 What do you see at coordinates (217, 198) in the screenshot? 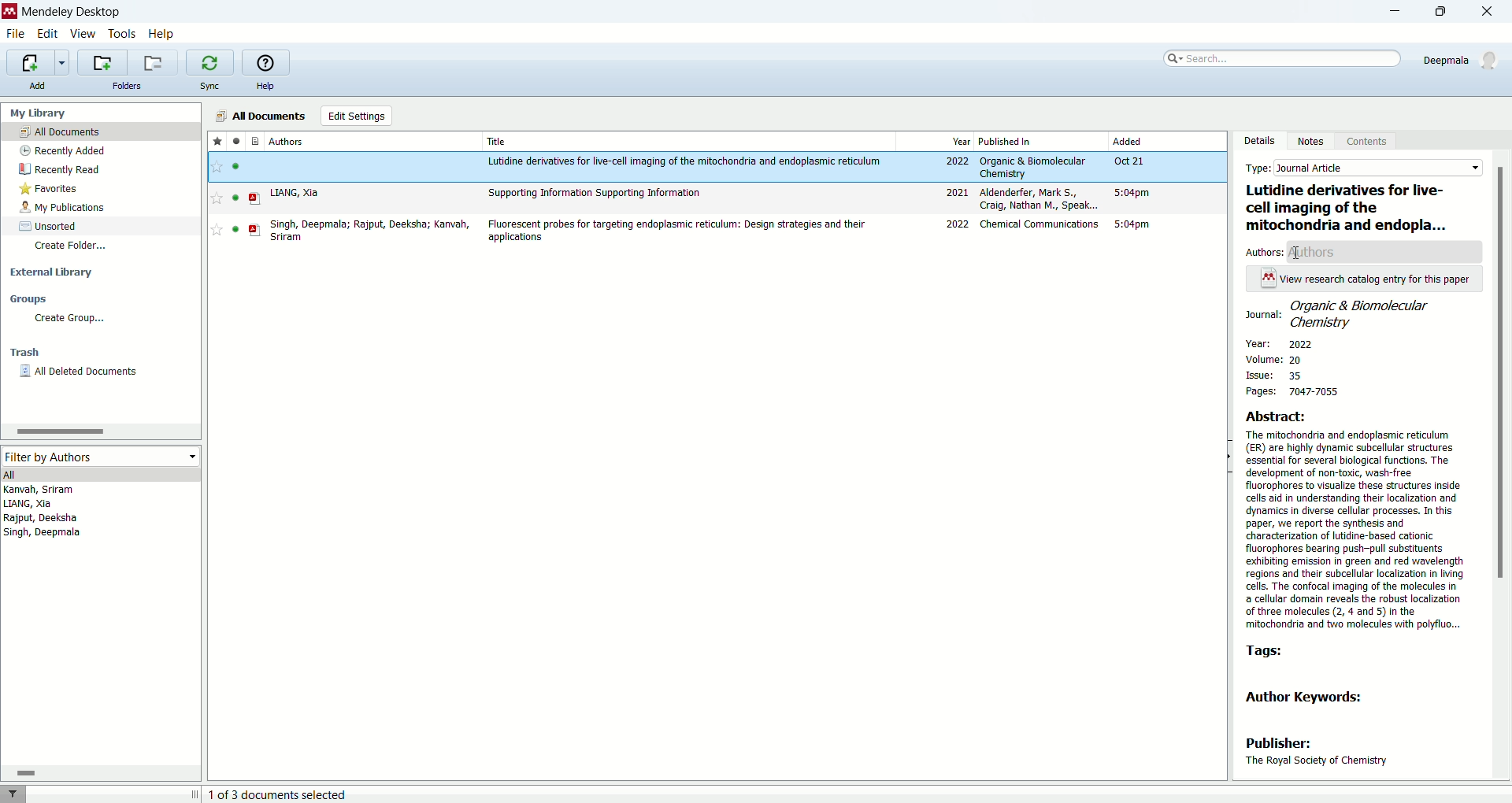
I see `Favourite` at bounding box center [217, 198].